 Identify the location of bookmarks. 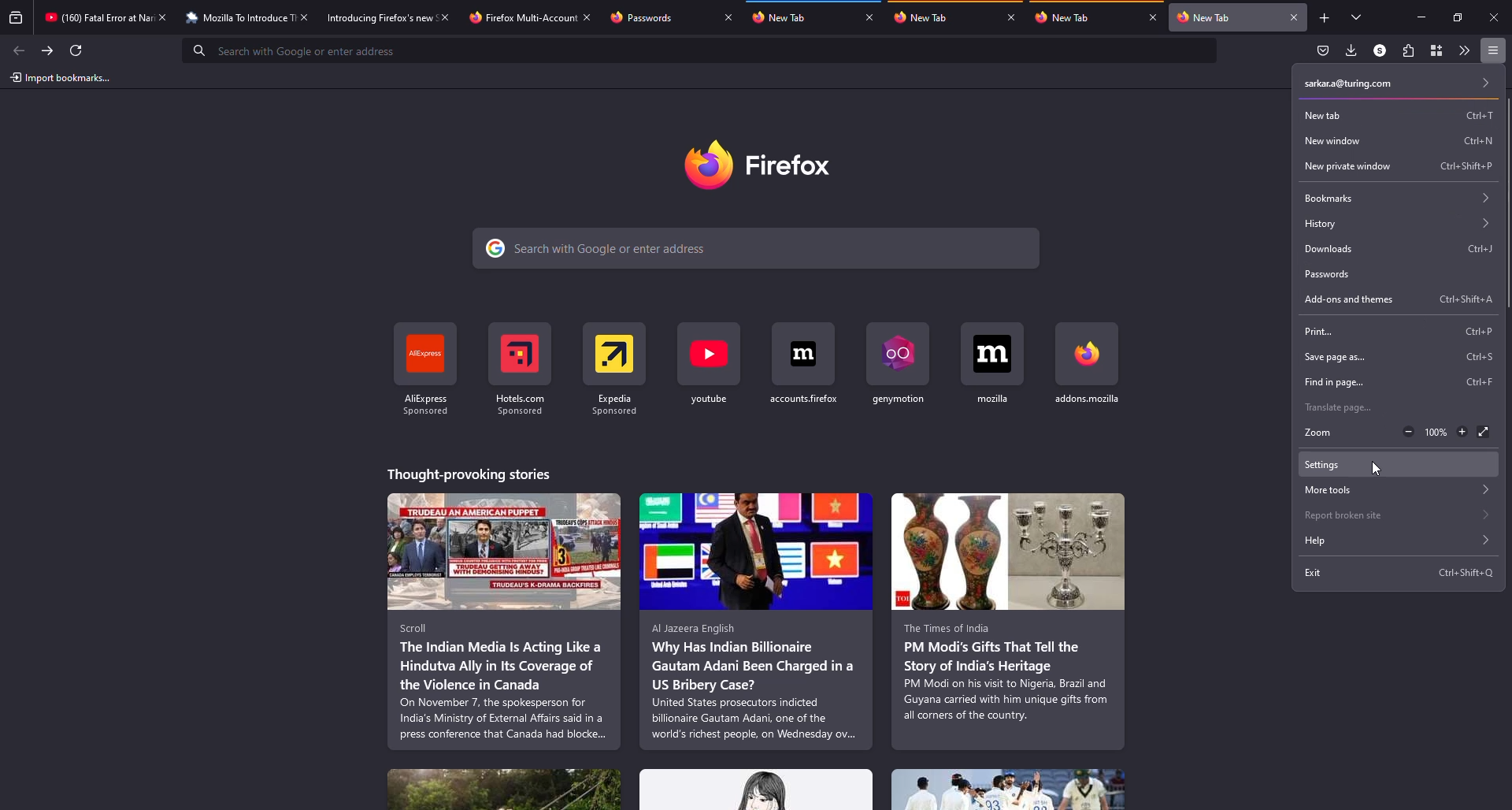
(1396, 195).